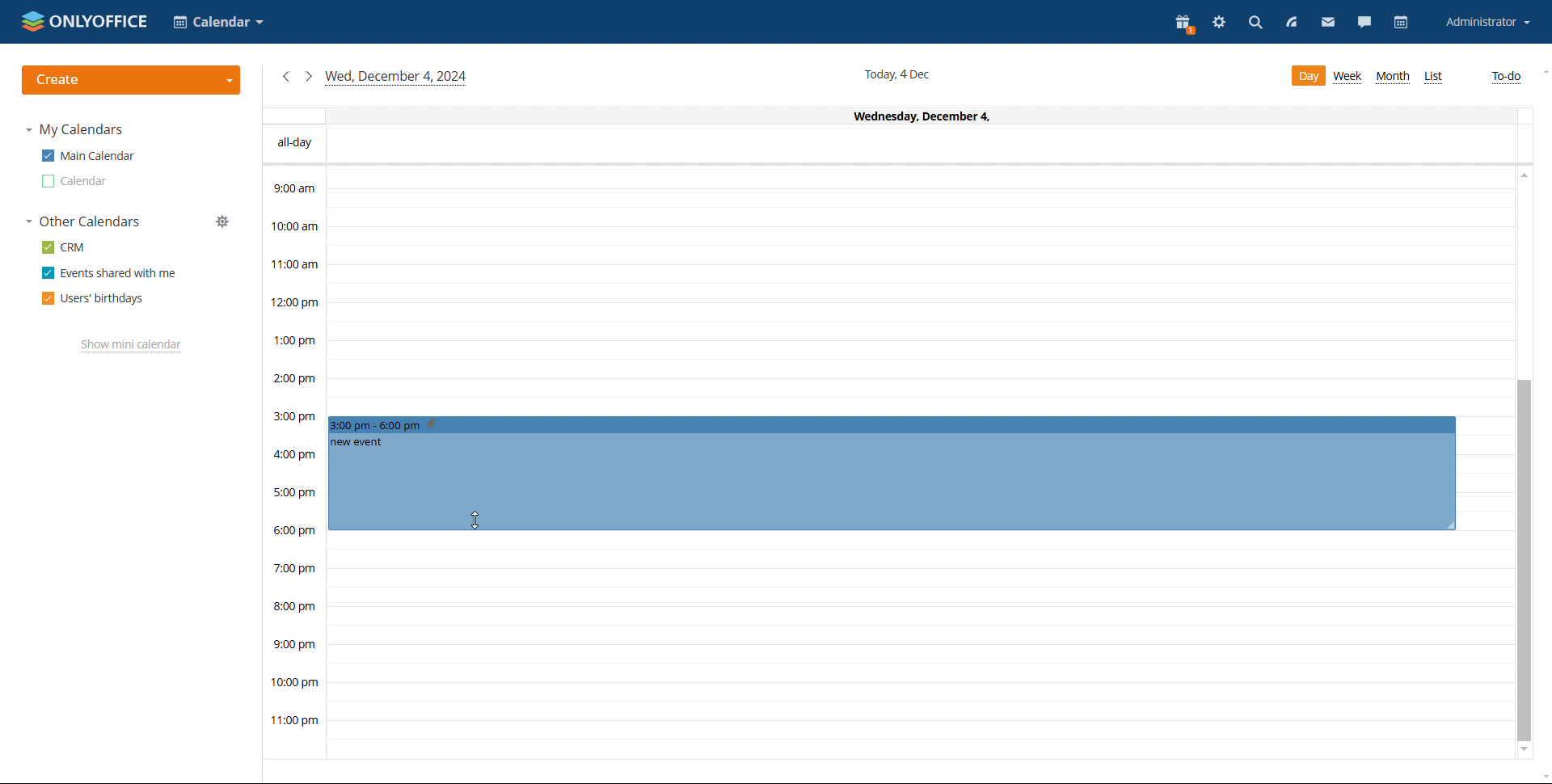 This screenshot has width=1552, height=784. I want to click on scroll up, so click(1522, 178).